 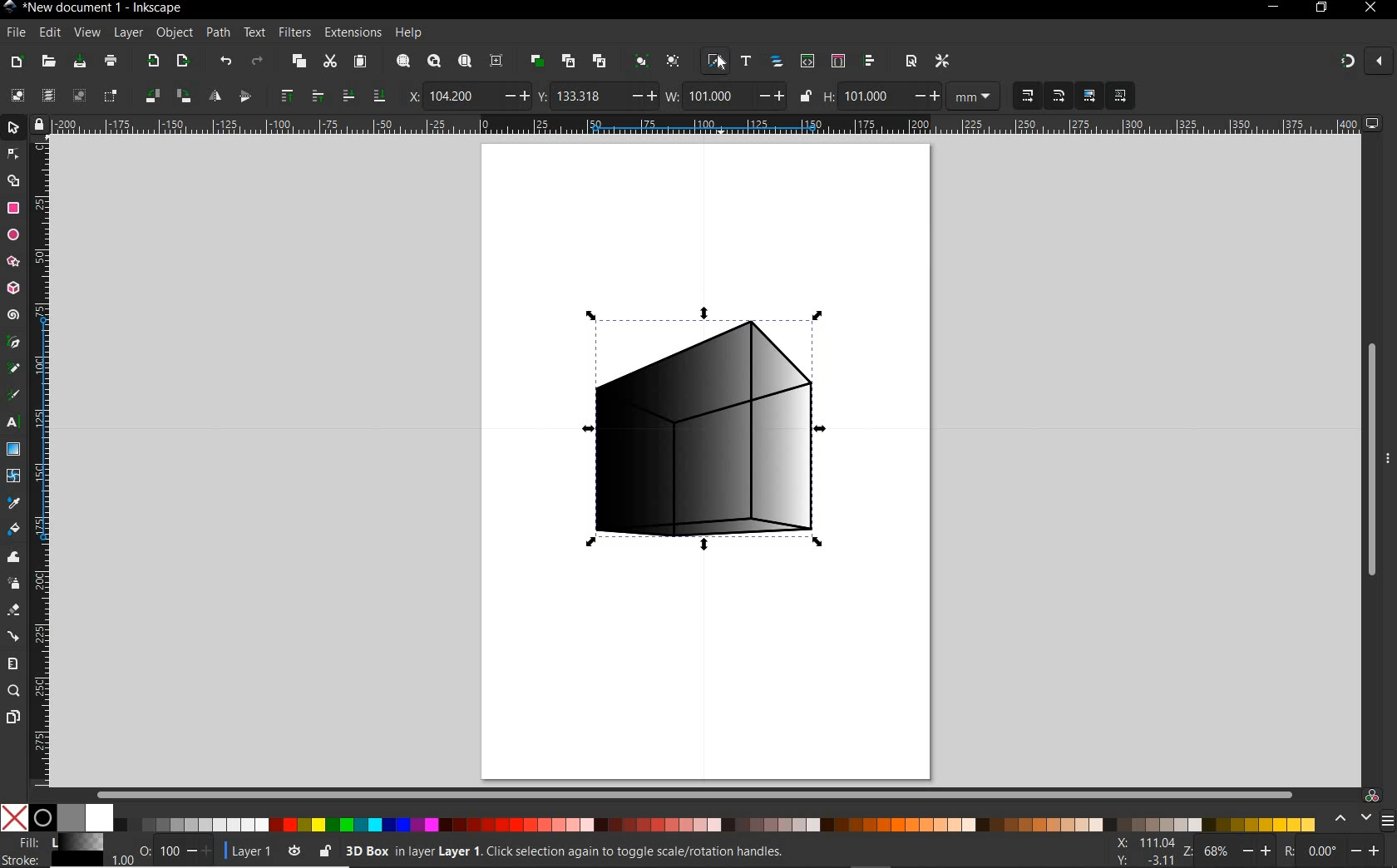 What do you see at coordinates (1118, 96) in the screenshot?
I see `MOVE PATTERNS` at bounding box center [1118, 96].